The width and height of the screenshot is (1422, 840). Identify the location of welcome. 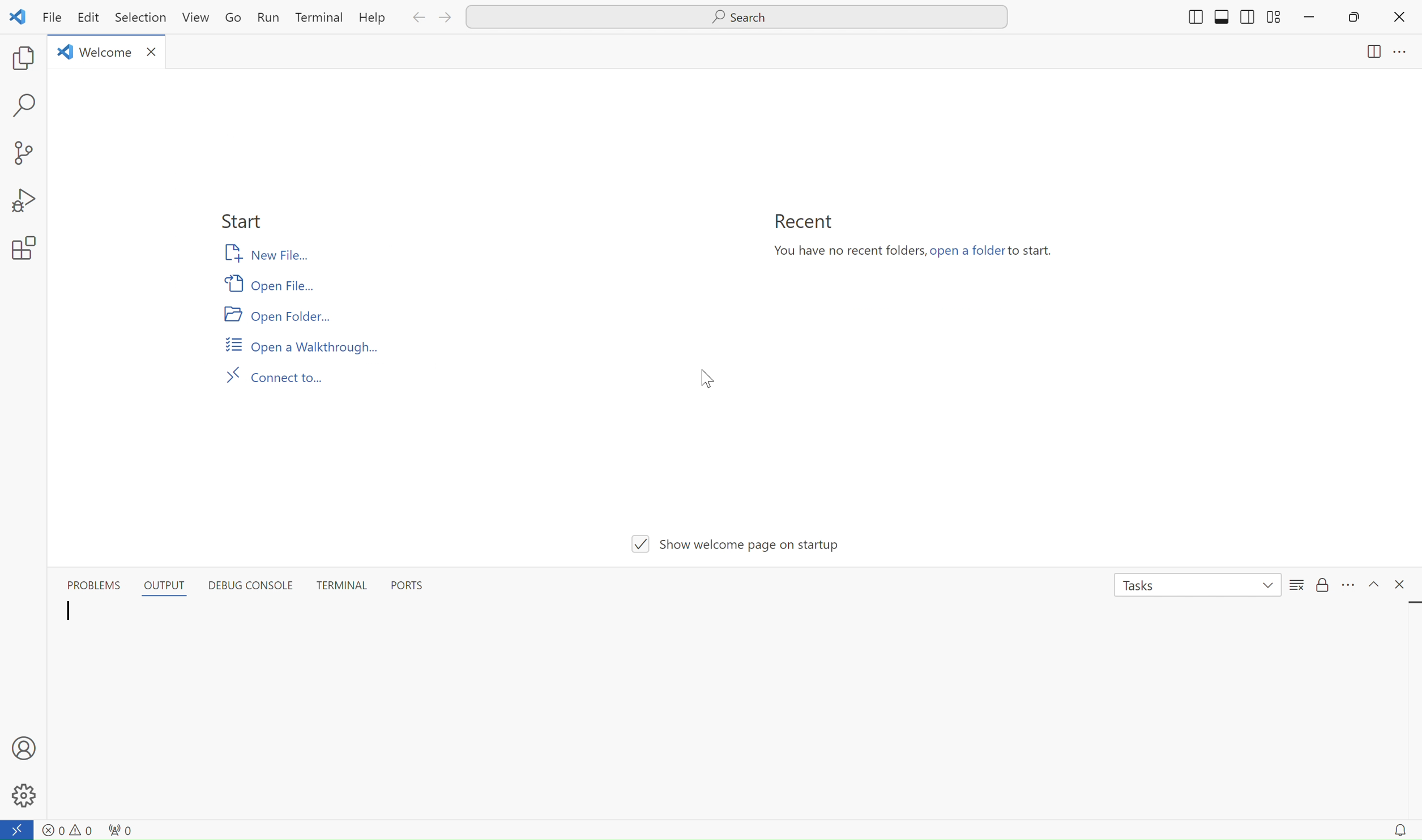
(106, 54).